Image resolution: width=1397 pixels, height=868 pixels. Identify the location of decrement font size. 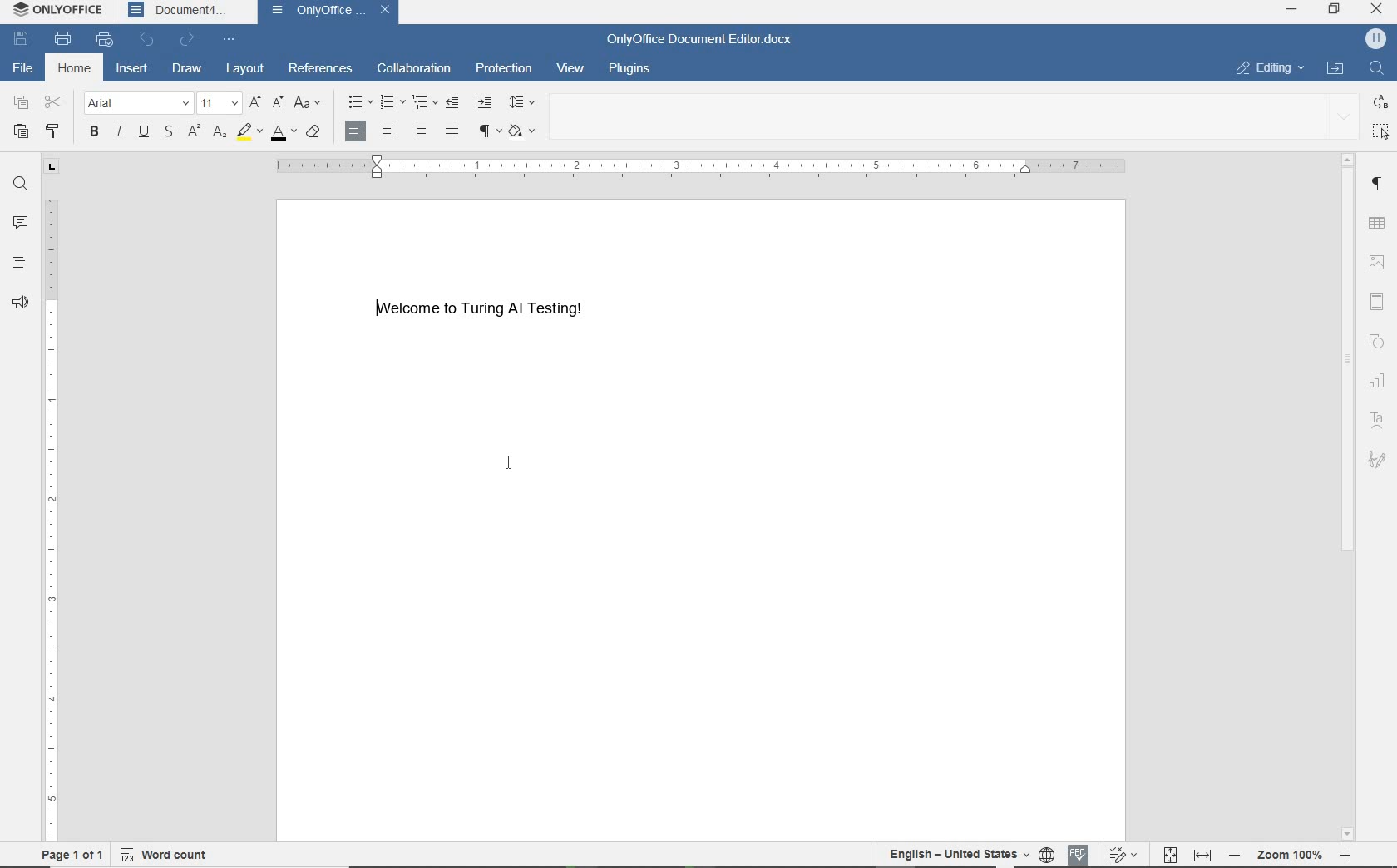
(279, 104).